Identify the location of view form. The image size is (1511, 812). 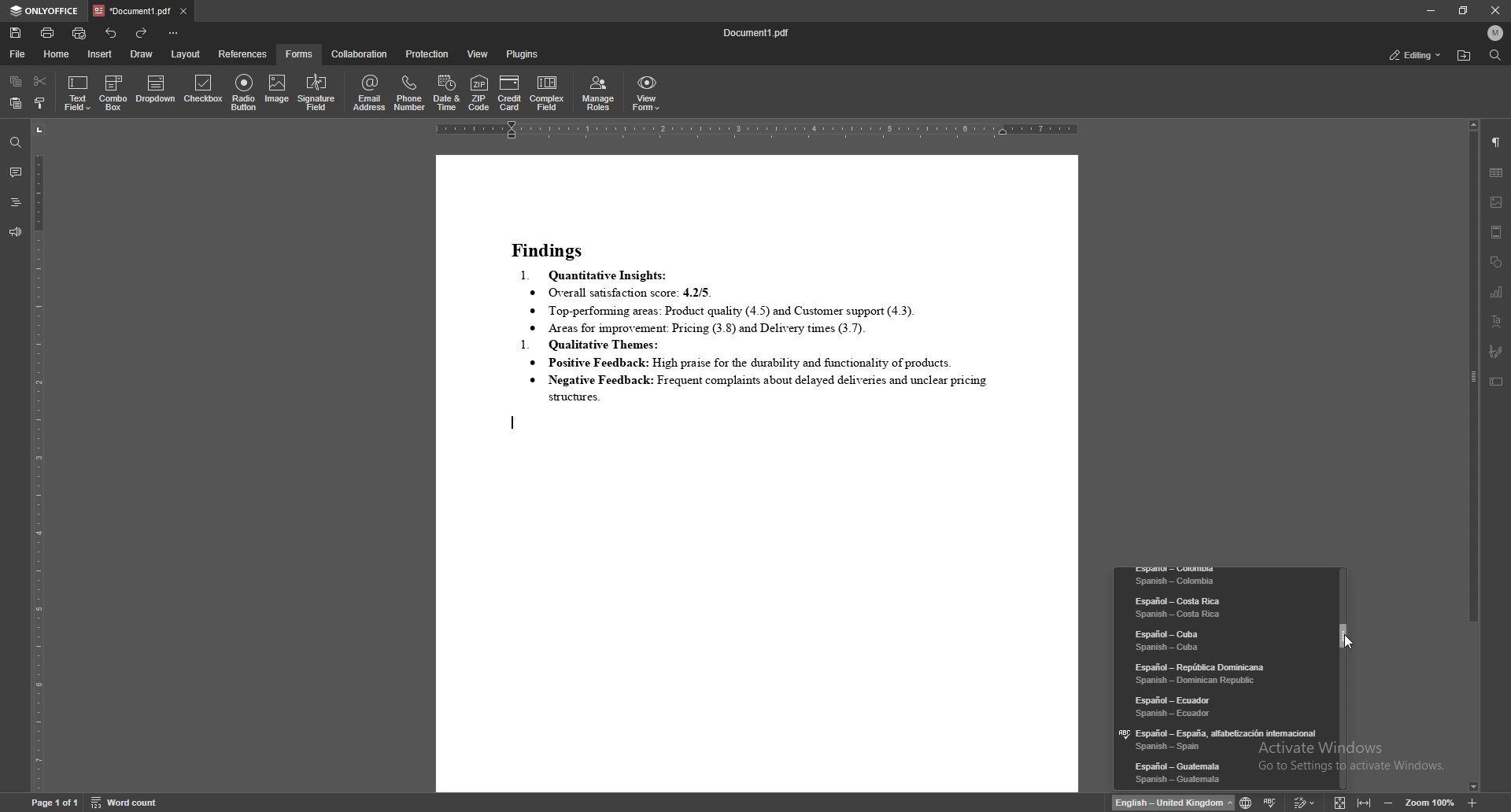
(647, 94).